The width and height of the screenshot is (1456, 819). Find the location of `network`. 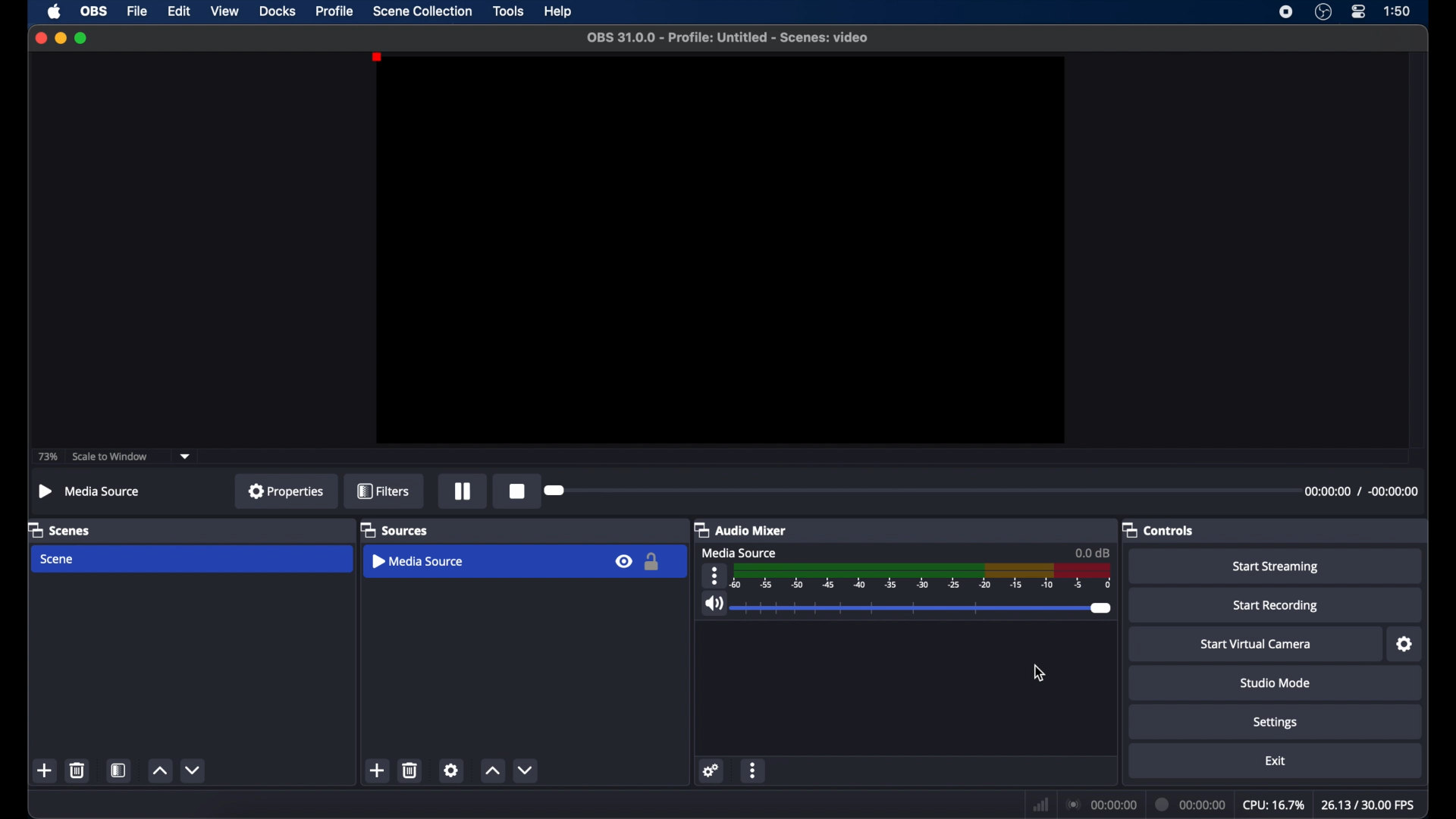

network is located at coordinates (1041, 803).